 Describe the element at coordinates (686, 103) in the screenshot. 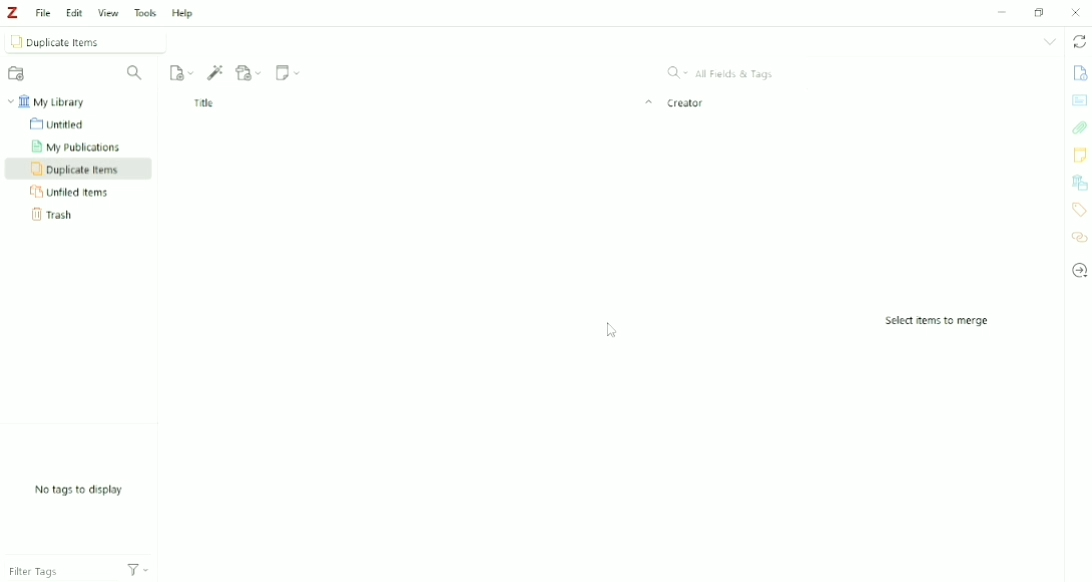

I see `Creator` at that location.